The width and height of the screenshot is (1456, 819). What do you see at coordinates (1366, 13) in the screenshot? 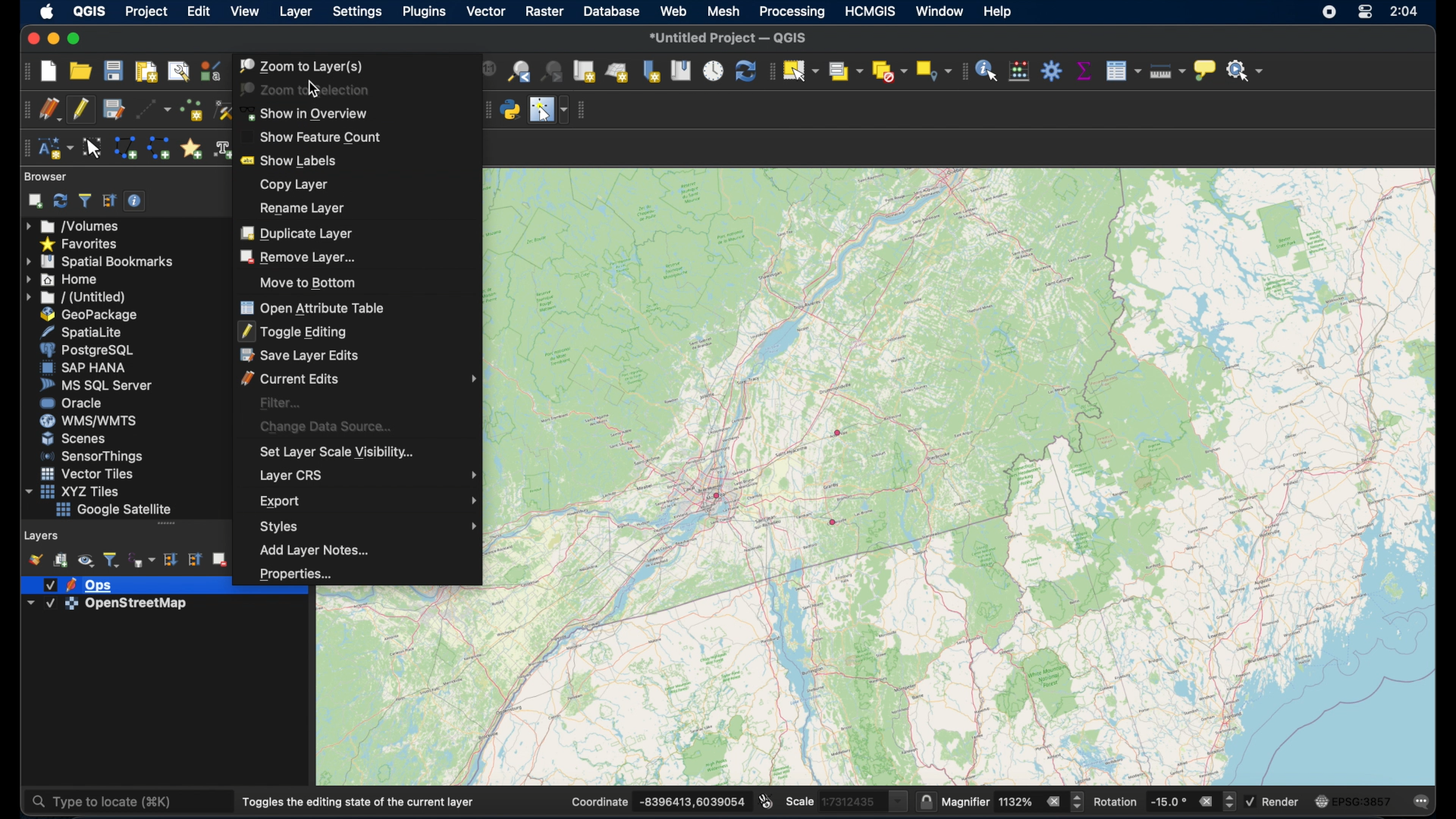
I see `control center` at bounding box center [1366, 13].